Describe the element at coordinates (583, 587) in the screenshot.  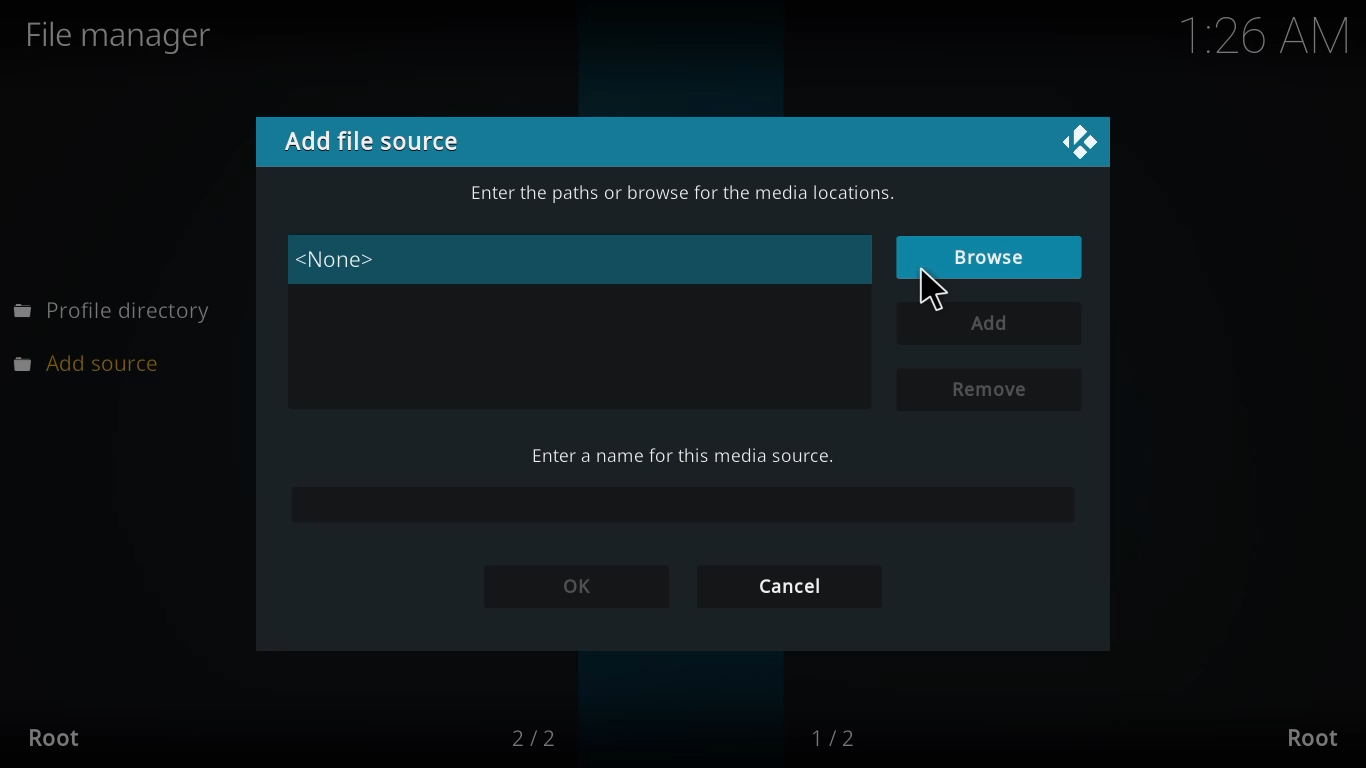
I see `ok` at that location.